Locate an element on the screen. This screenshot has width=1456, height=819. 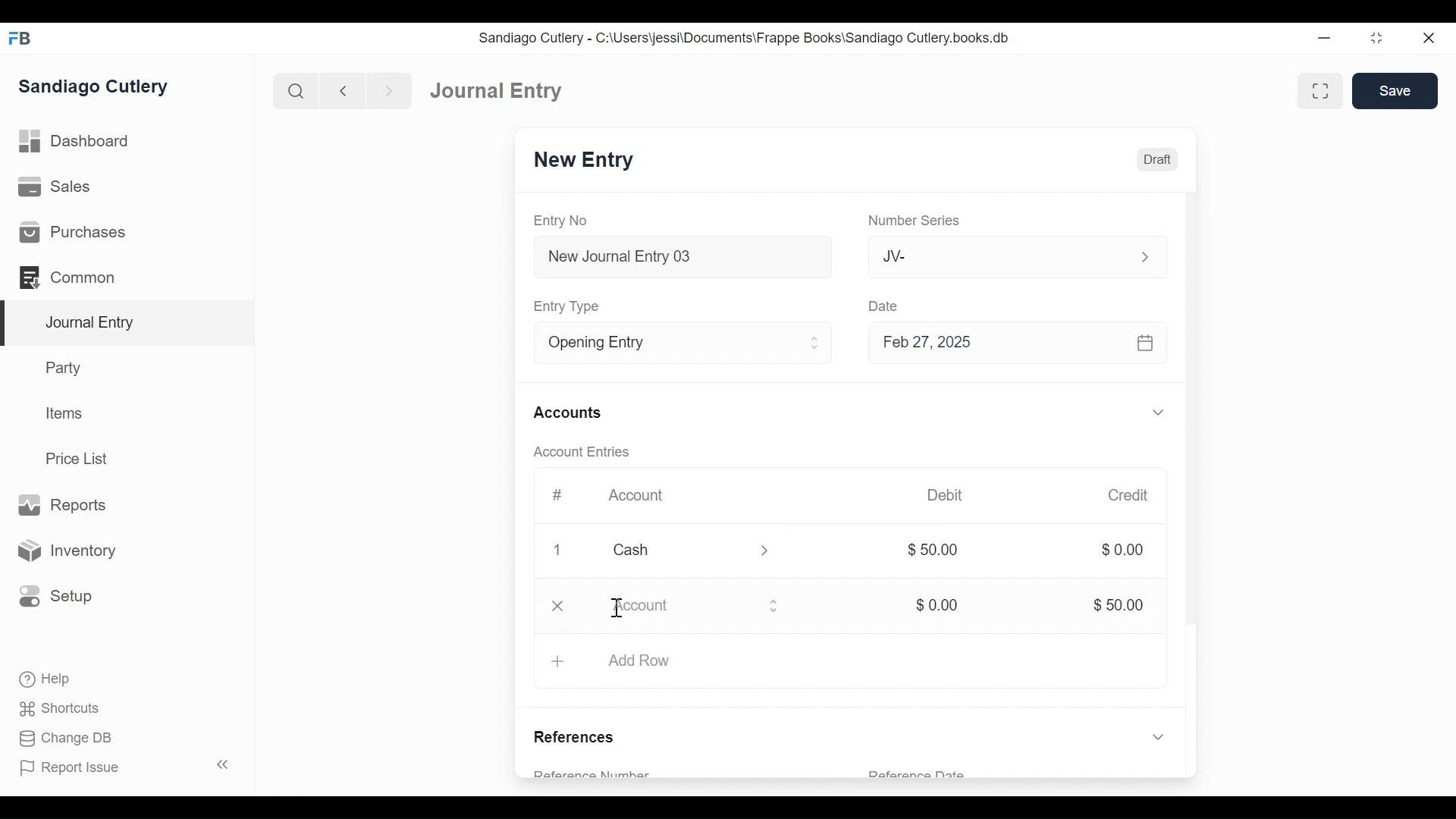
Navigate back is located at coordinates (341, 91).